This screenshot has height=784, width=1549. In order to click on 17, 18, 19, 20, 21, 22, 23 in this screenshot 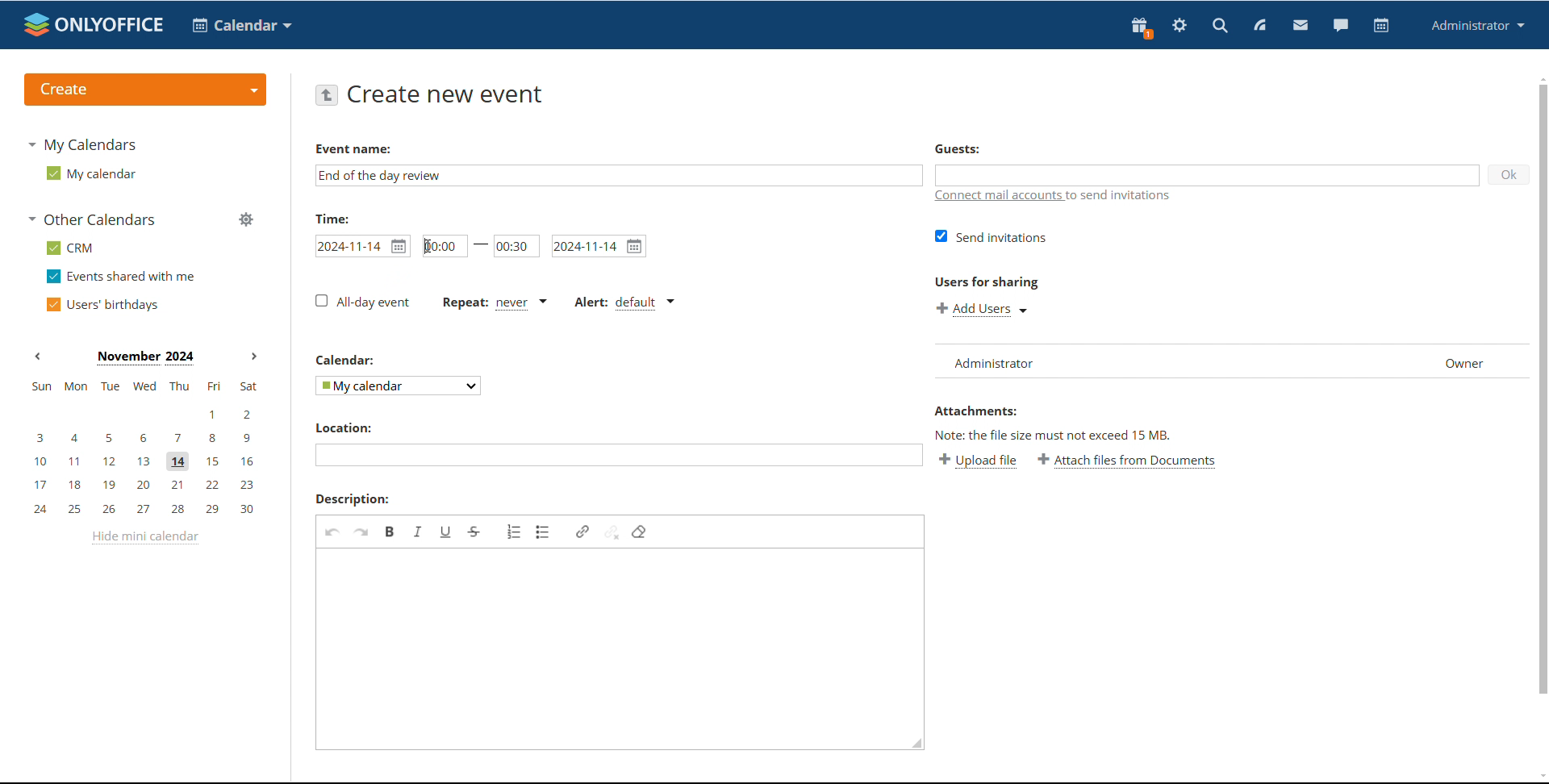, I will do `click(148, 485)`.